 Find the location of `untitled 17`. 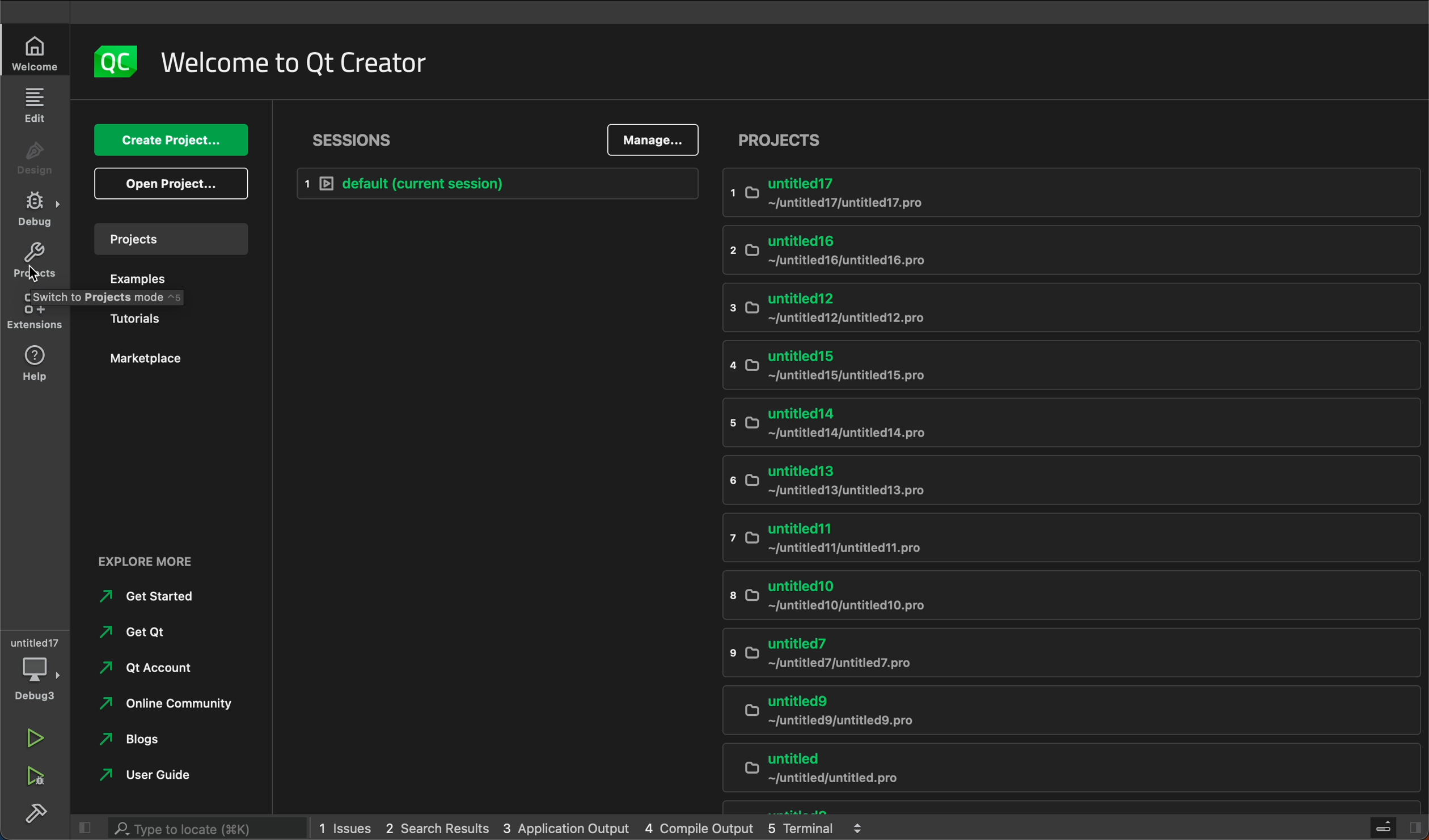

untitled 17 is located at coordinates (1073, 192).